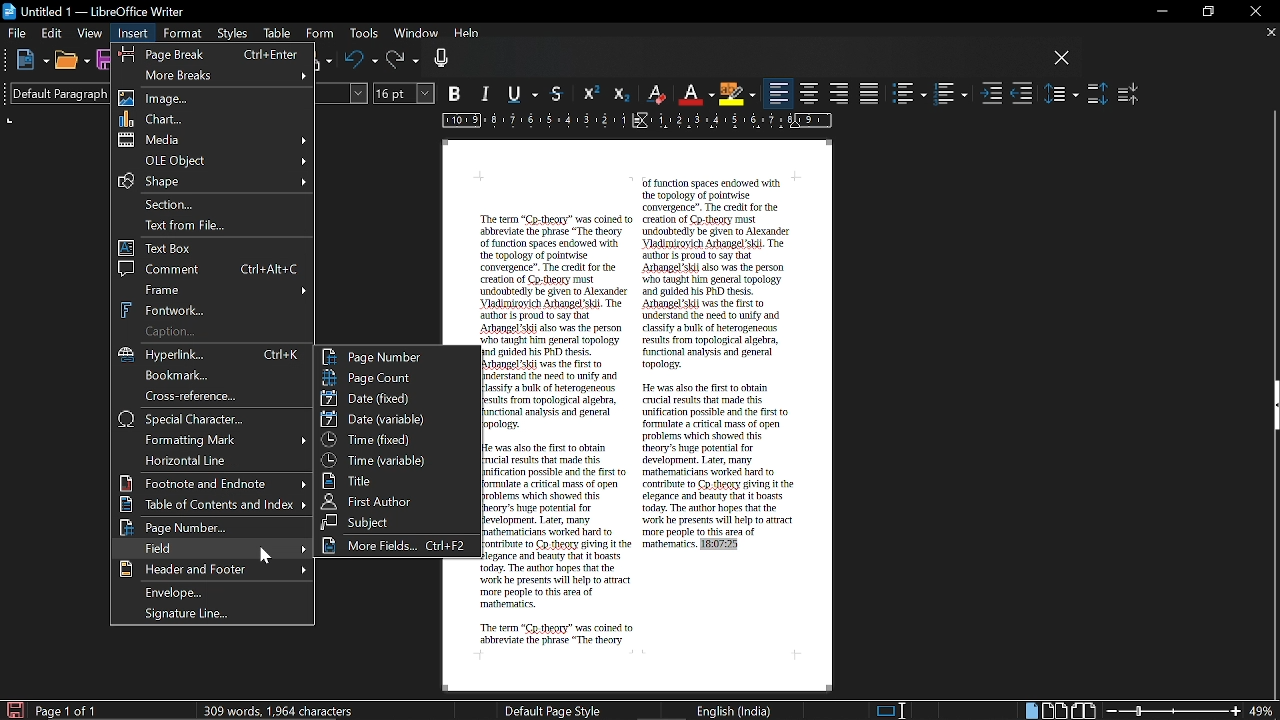 The width and height of the screenshot is (1280, 720). What do you see at coordinates (1056, 710) in the screenshot?
I see `Double page view` at bounding box center [1056, 710].